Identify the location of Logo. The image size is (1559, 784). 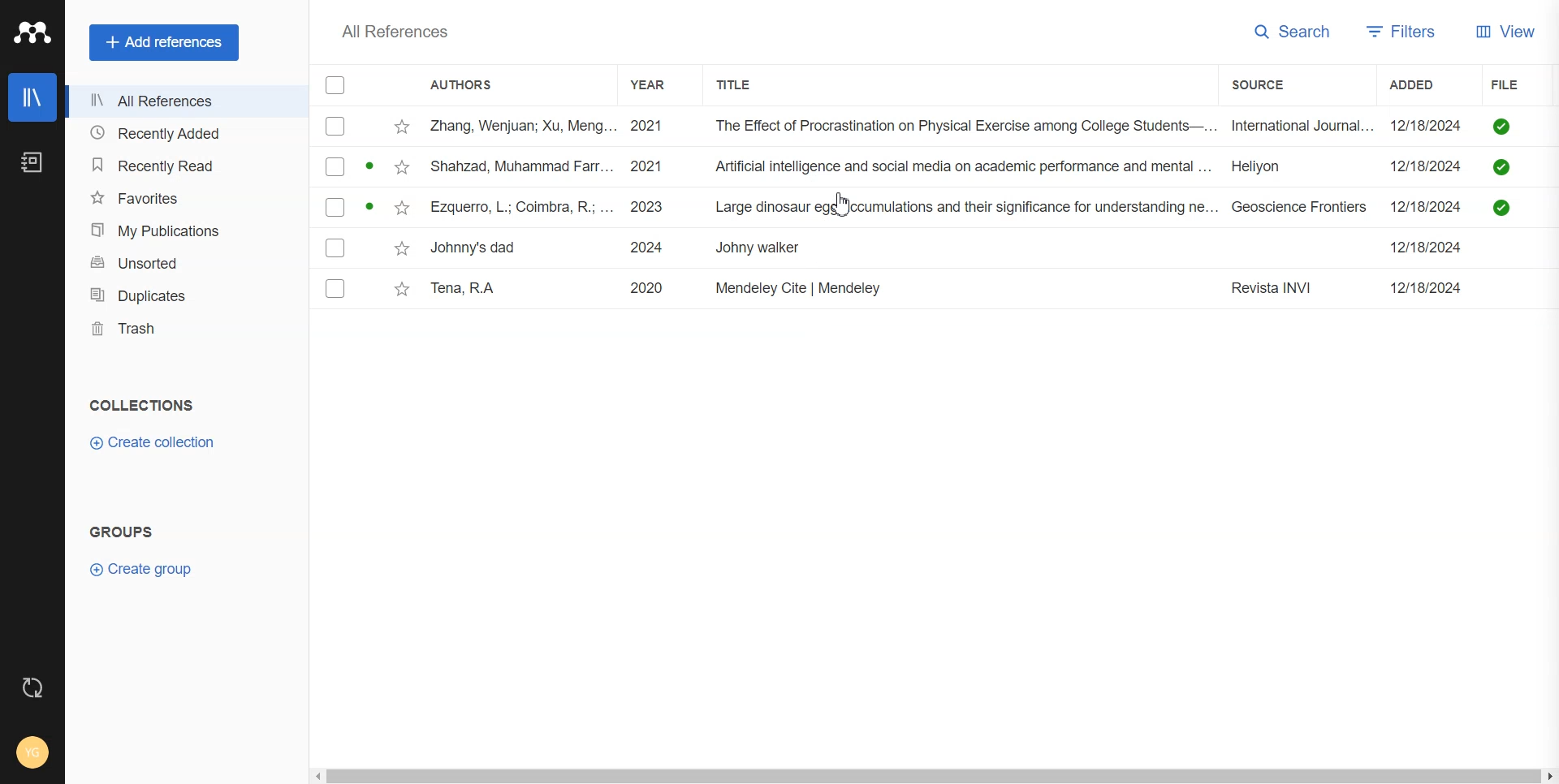
(33, 32).